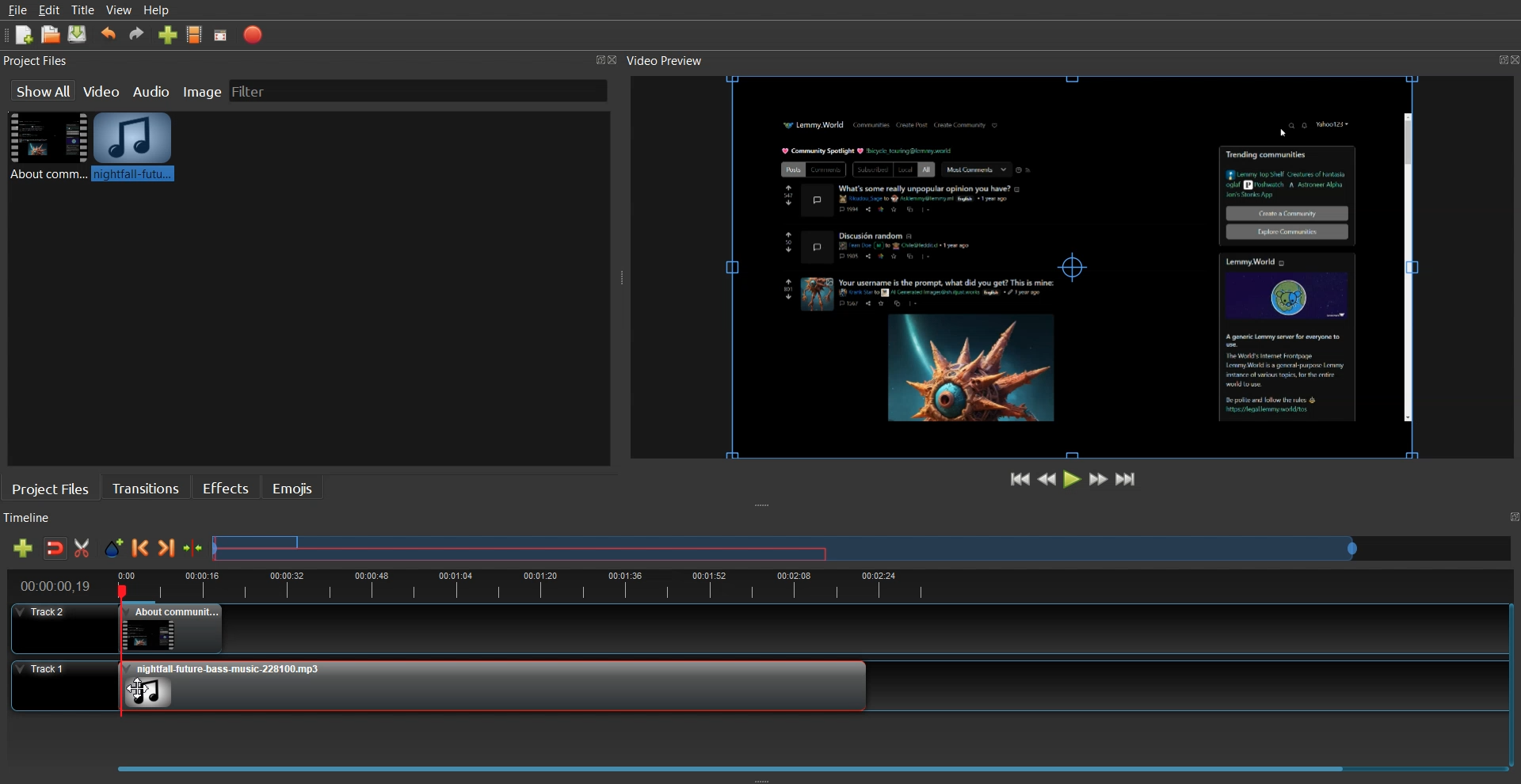 Image resolution: width=1521 pixels, height=784 pixels. What do you see at coordinates (45, 146) in the screenshot?
I see `Video File` at bounding box center [45, 146].